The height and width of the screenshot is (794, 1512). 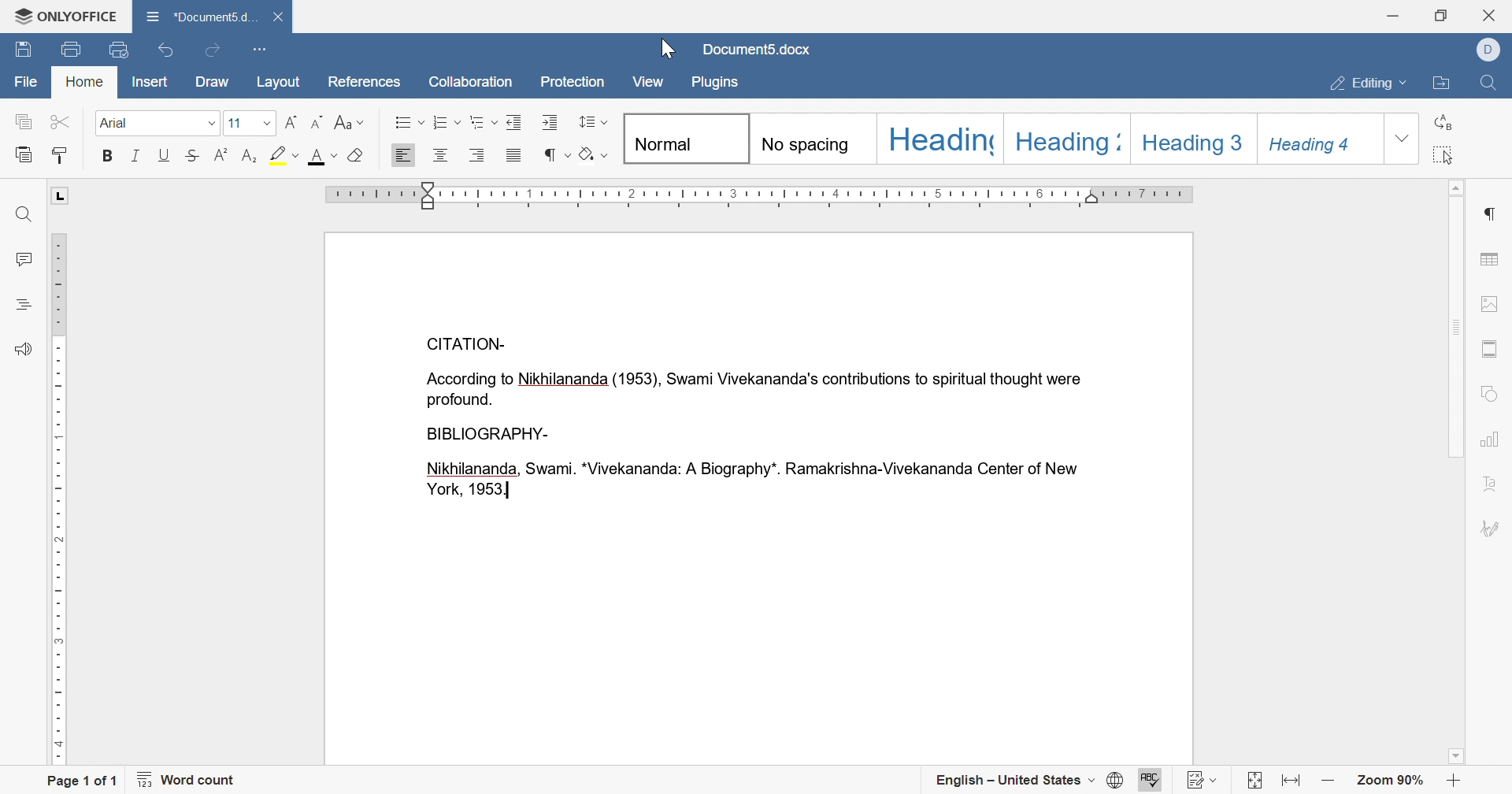 I want to click on text art settings, so click(x=1490, y=480).